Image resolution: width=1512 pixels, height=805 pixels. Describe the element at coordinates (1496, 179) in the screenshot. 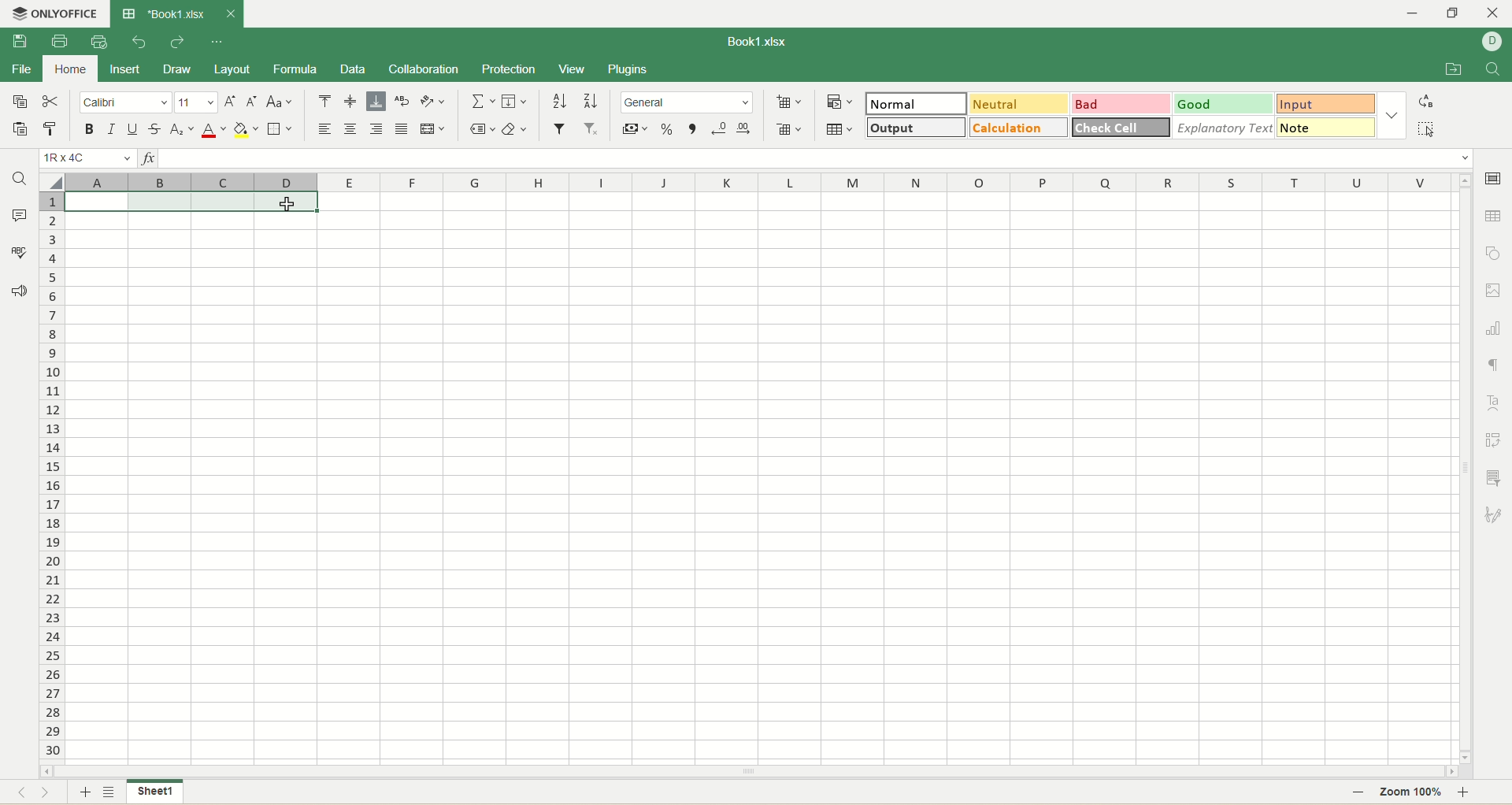

I see `cell settings` at that location.